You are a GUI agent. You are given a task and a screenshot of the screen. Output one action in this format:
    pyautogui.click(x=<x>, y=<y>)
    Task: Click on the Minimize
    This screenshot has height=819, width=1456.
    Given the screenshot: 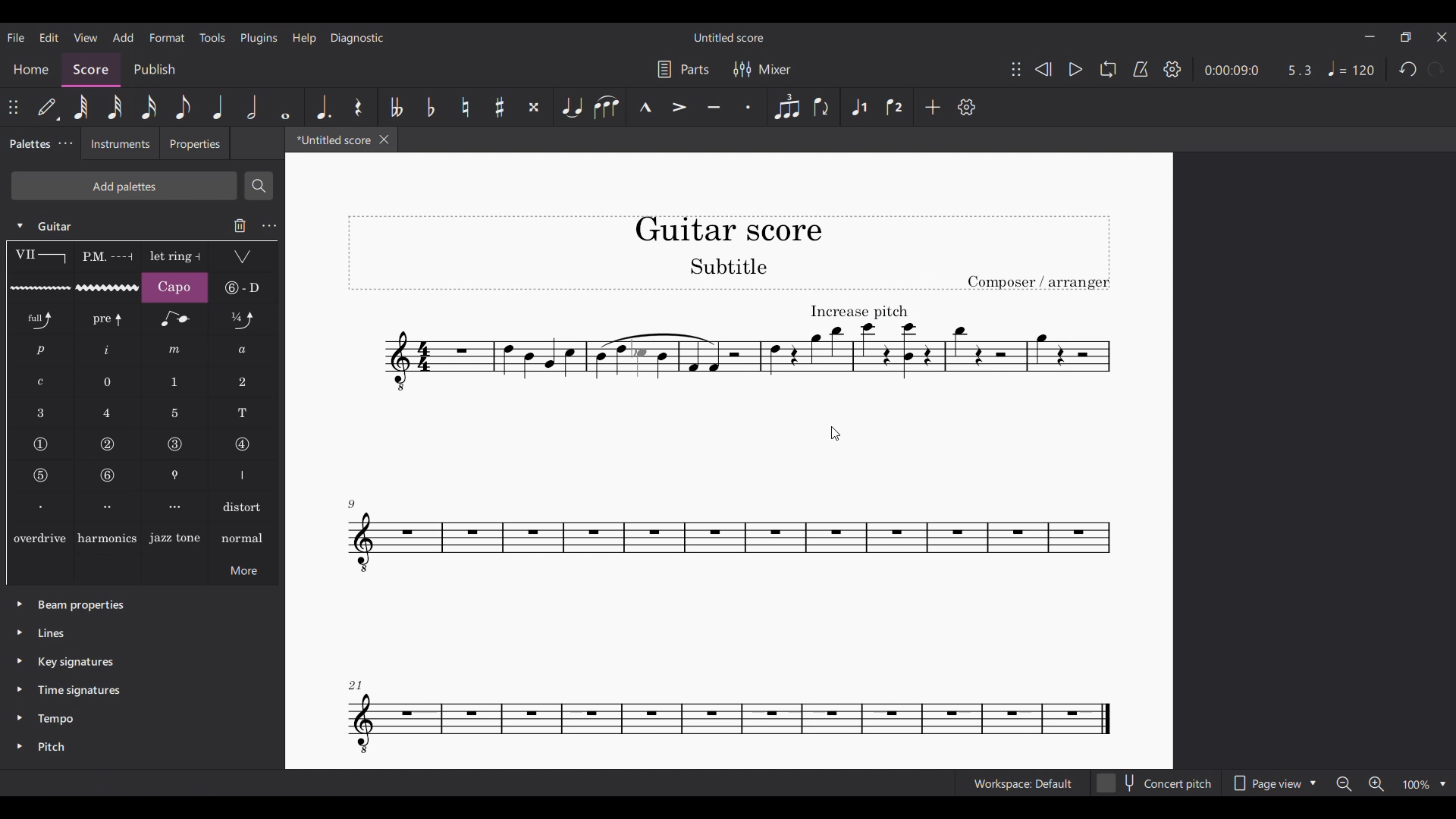 What is the action you would take?
    pyautogui.click(x=1370, y=36)
    